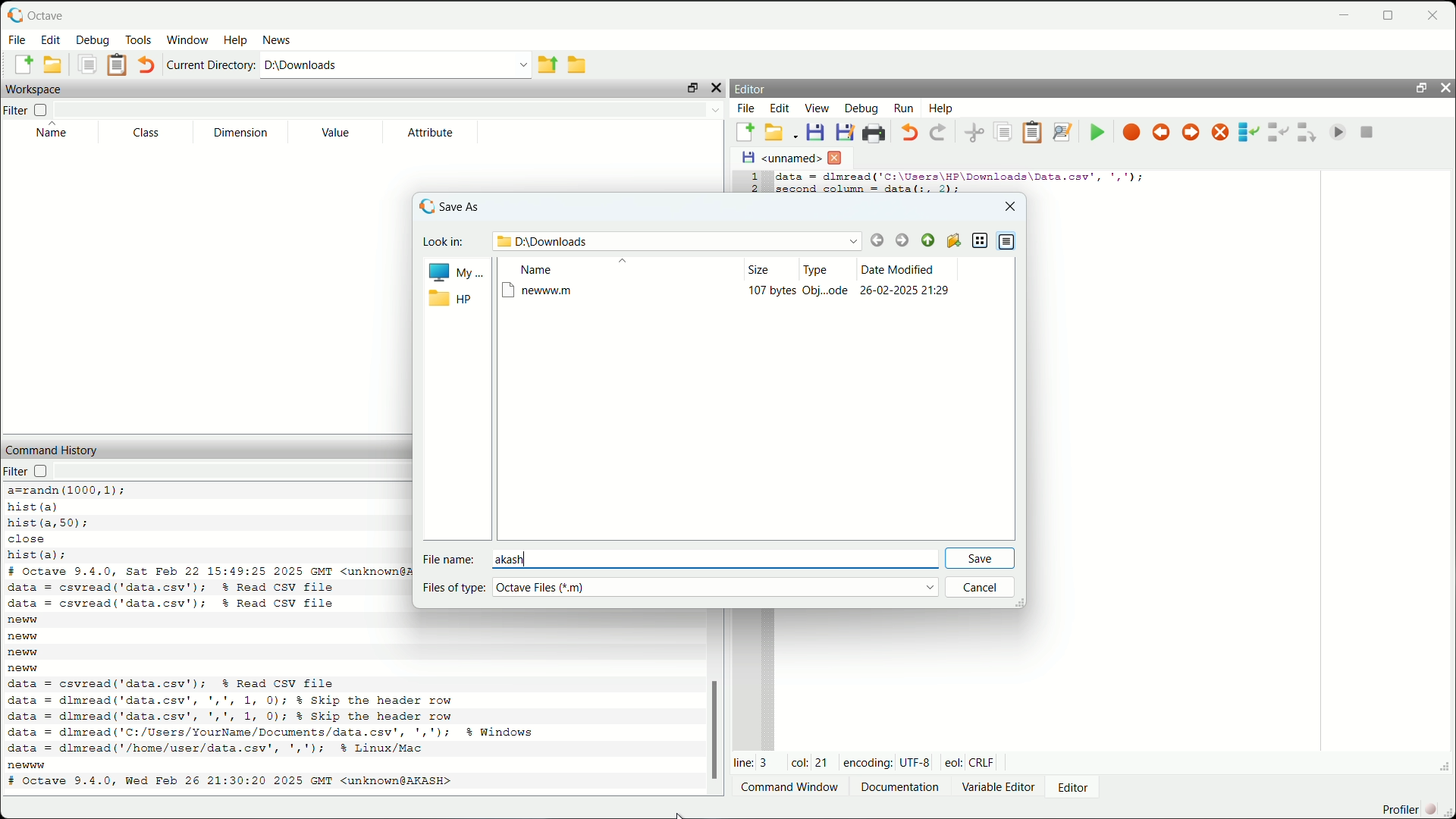  What do you see at coordinates (1006, 134) in the screenshot?
I see `copy` at bounding box center [1006, 134].